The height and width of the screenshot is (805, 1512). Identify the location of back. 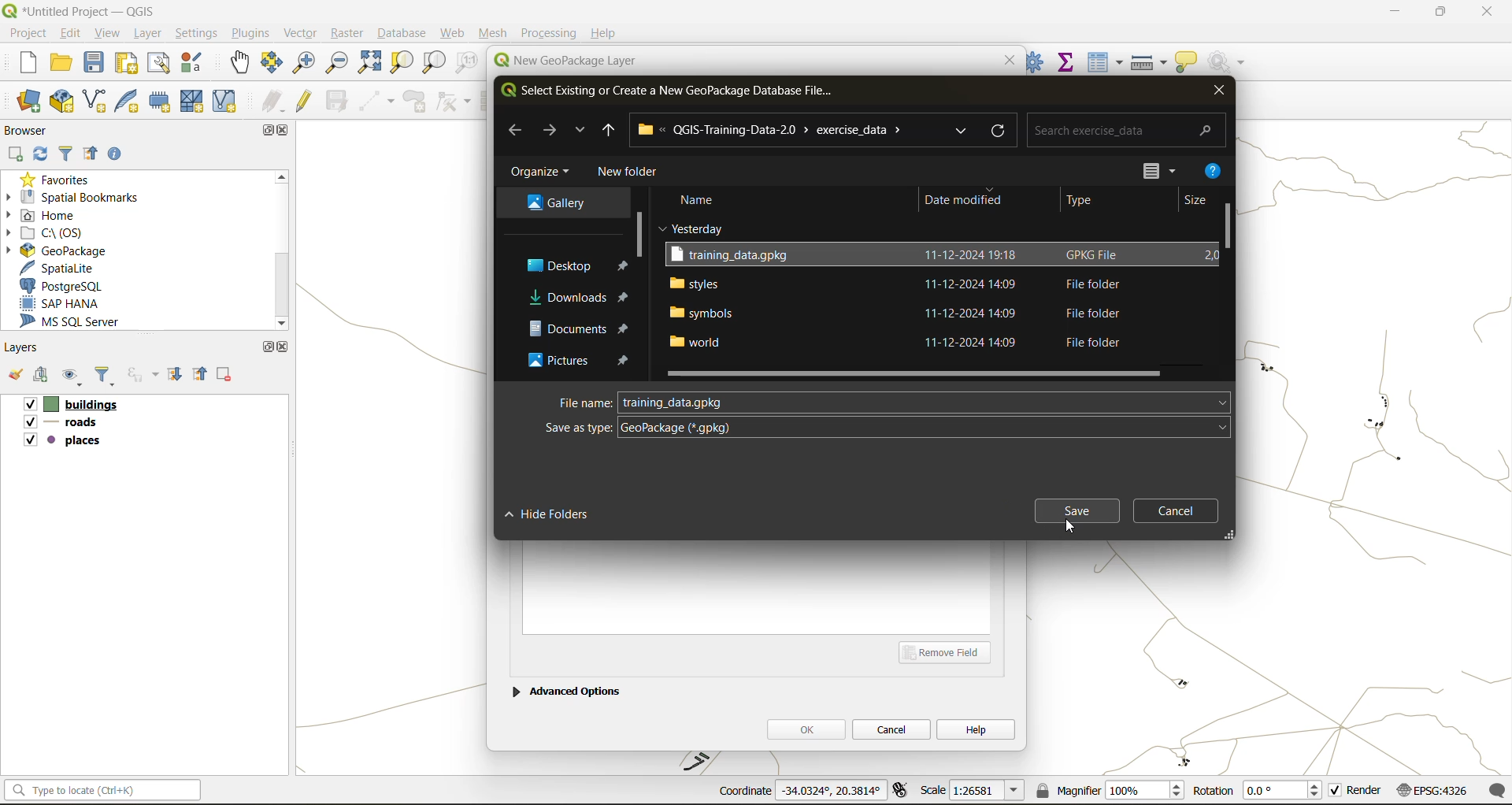
(517, 129).